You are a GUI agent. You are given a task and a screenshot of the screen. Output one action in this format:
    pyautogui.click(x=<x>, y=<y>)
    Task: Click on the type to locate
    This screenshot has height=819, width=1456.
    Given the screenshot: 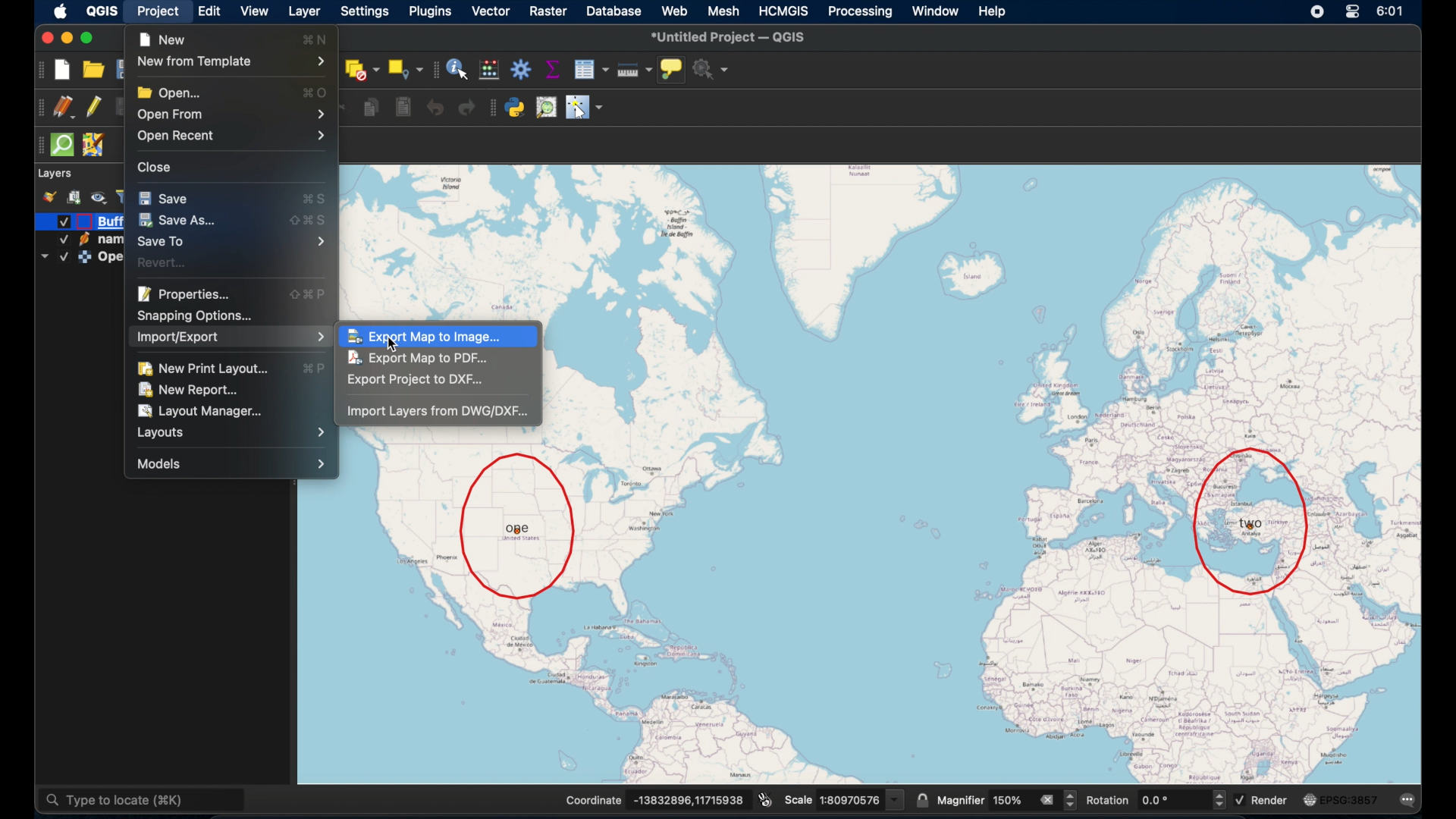 What is the action you would take?
    pyautogui.click(x=145, y=798)
    